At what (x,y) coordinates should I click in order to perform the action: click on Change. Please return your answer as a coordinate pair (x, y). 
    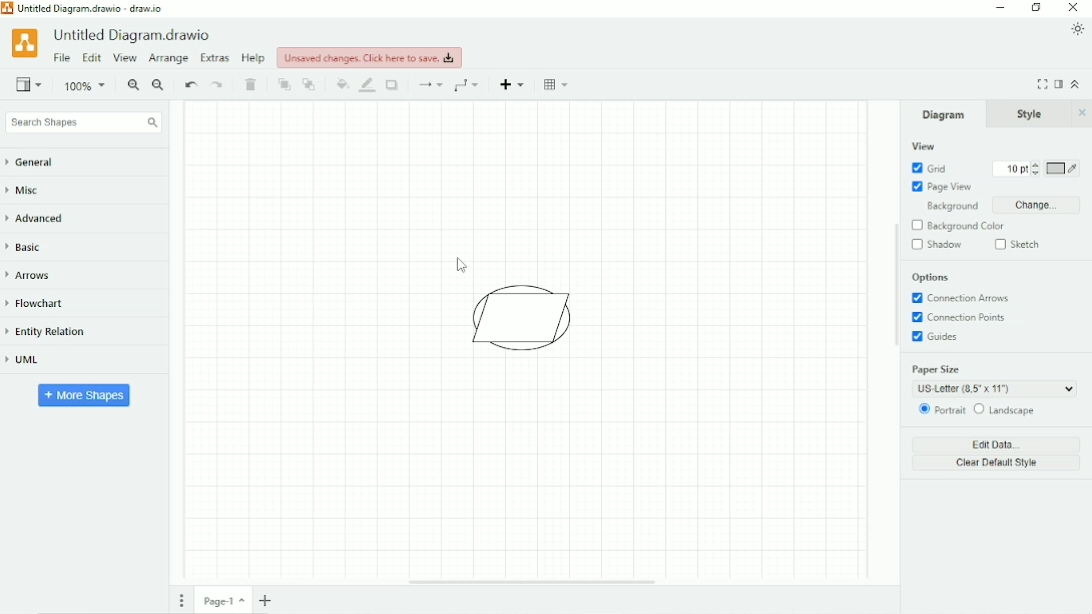
    Looking at the image, I should click on (1035, 205).